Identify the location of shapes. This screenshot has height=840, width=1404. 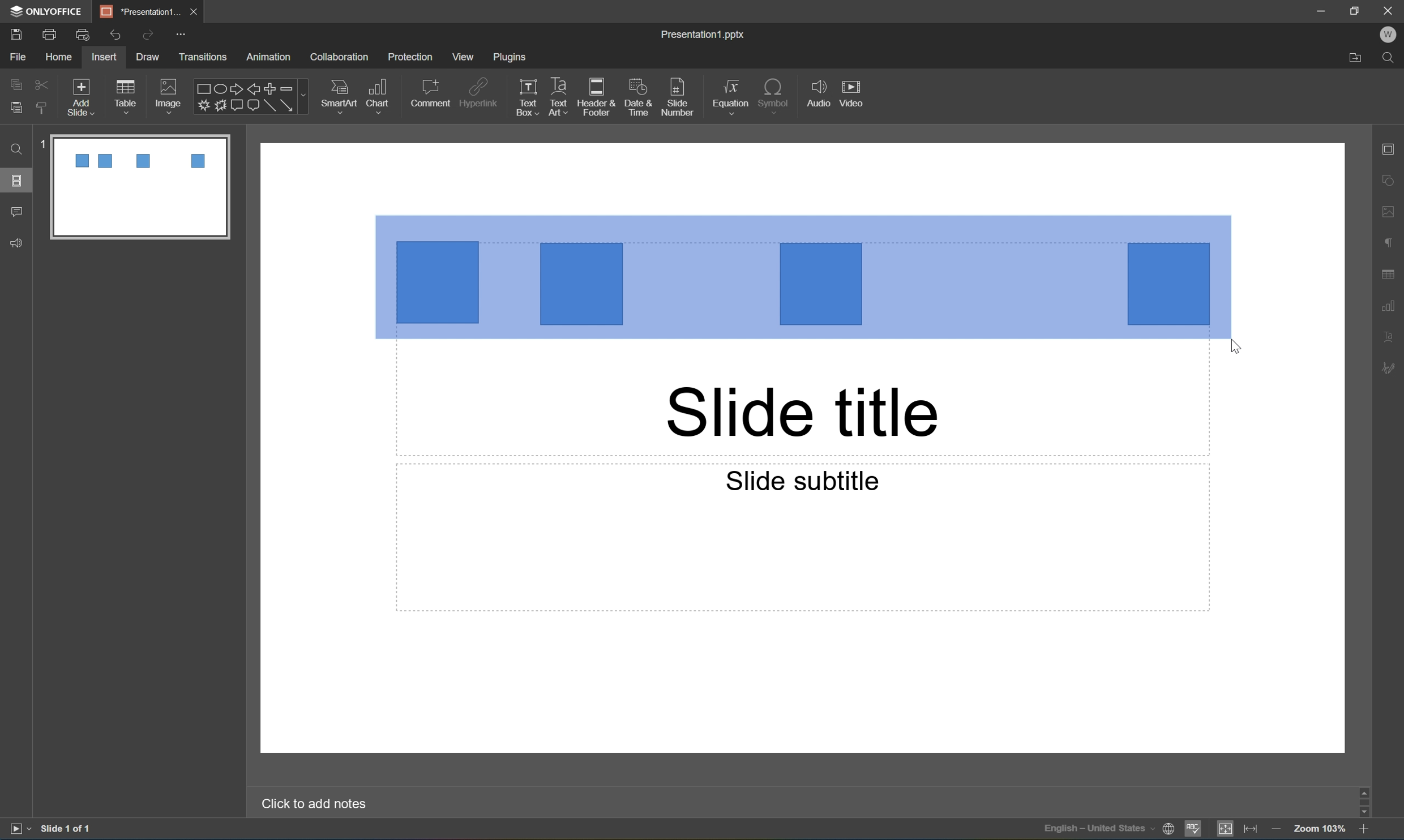
(250, 96).